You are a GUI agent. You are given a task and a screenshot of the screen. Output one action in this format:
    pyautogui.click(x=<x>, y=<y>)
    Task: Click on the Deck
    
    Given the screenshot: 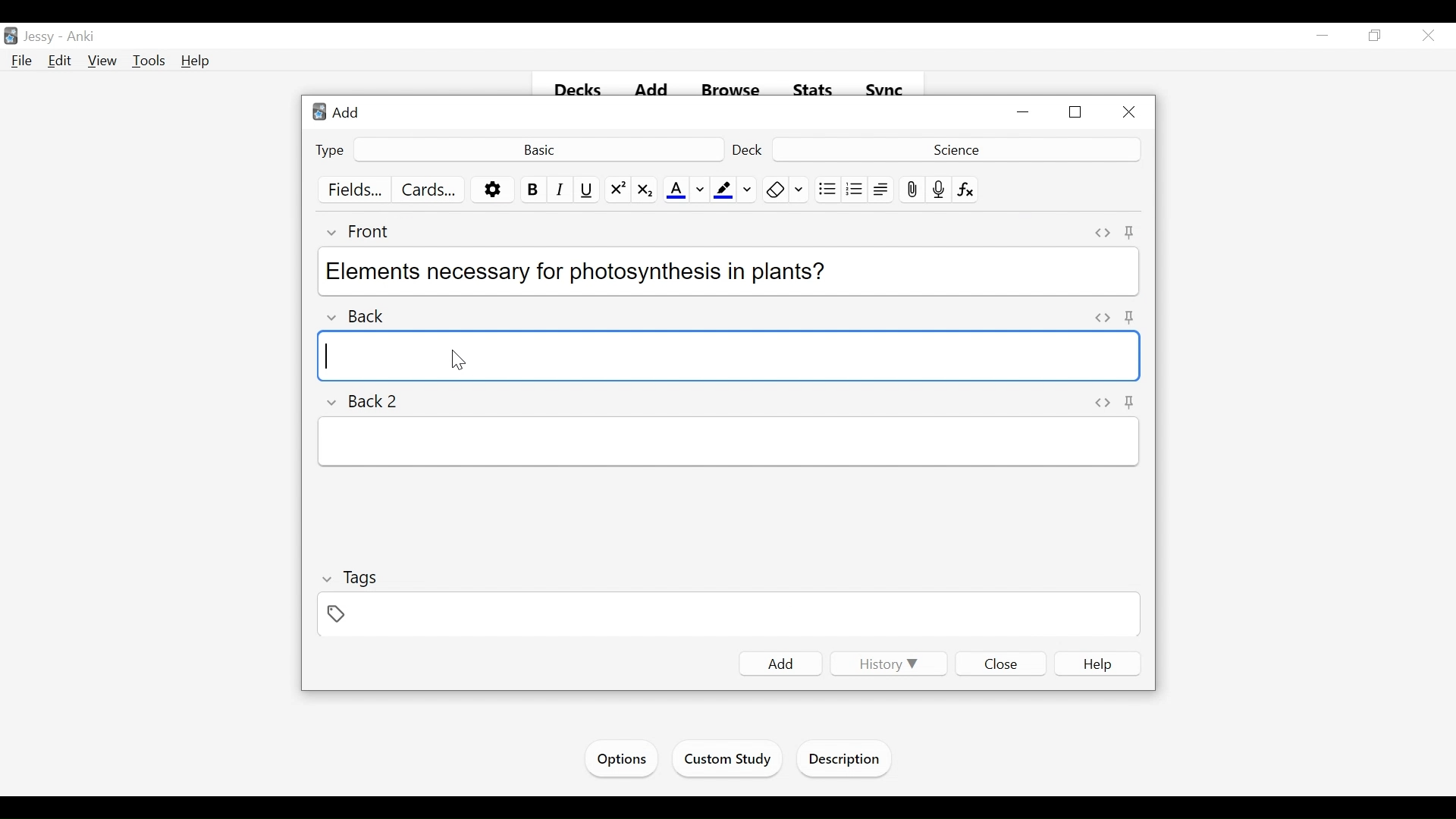 What is the action you would take?
    pyautogui.click(x=954, y=149)
    